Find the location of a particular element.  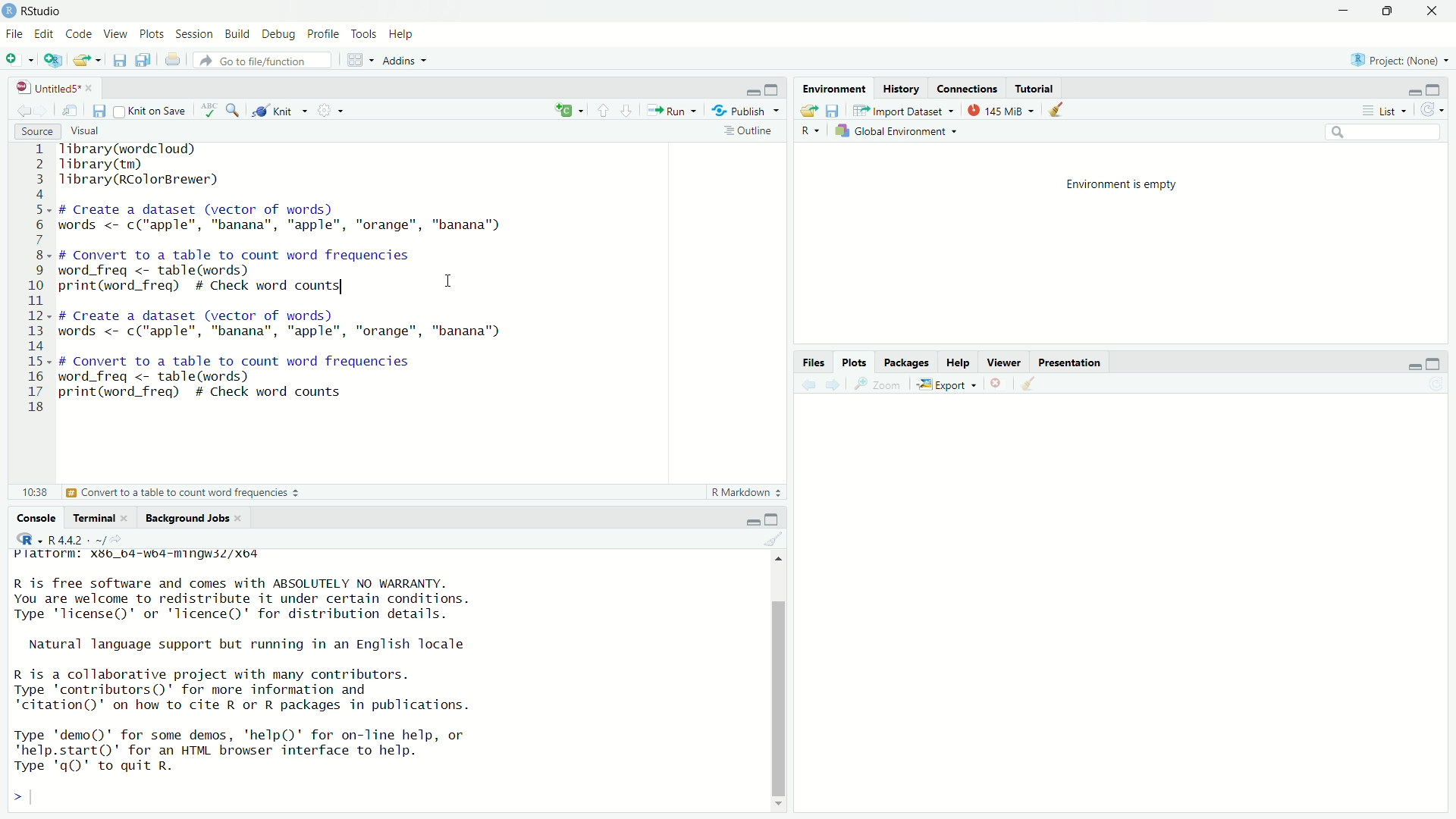

Kint on save is located at coordinates (149, 111).